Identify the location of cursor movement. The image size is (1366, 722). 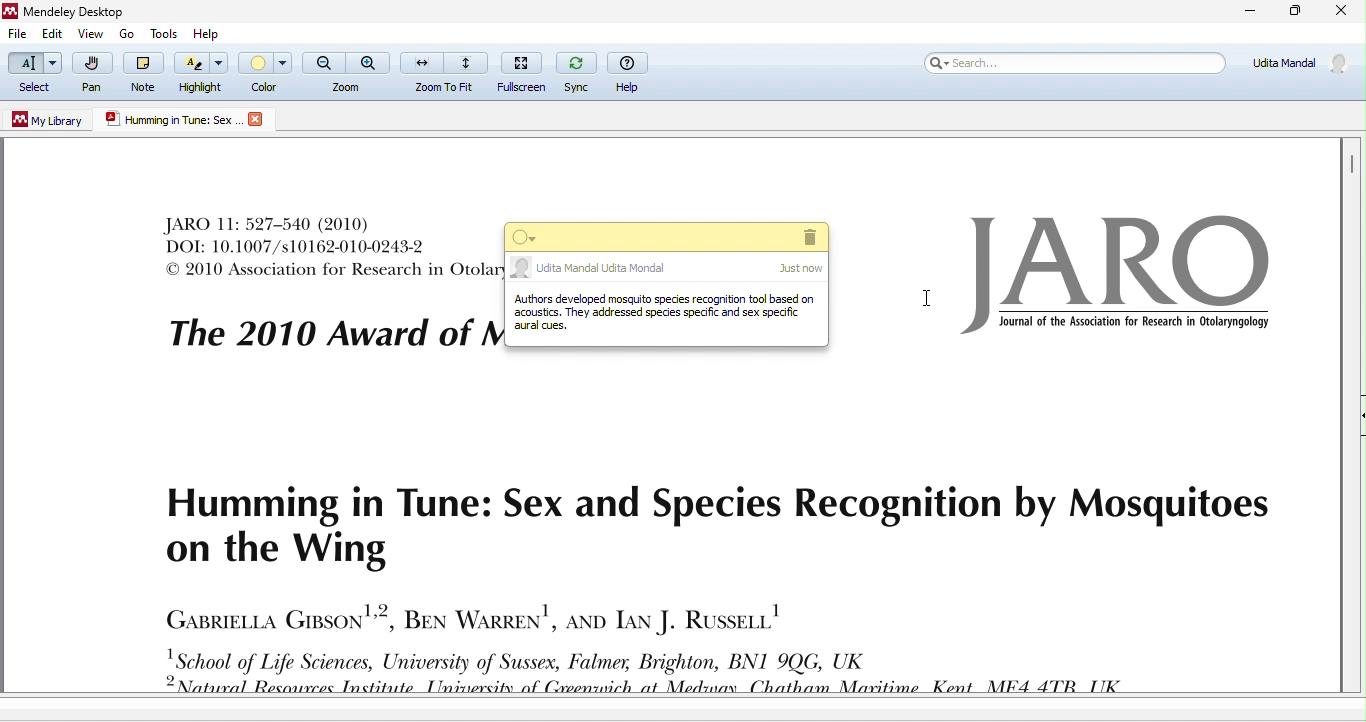
(925, 300).